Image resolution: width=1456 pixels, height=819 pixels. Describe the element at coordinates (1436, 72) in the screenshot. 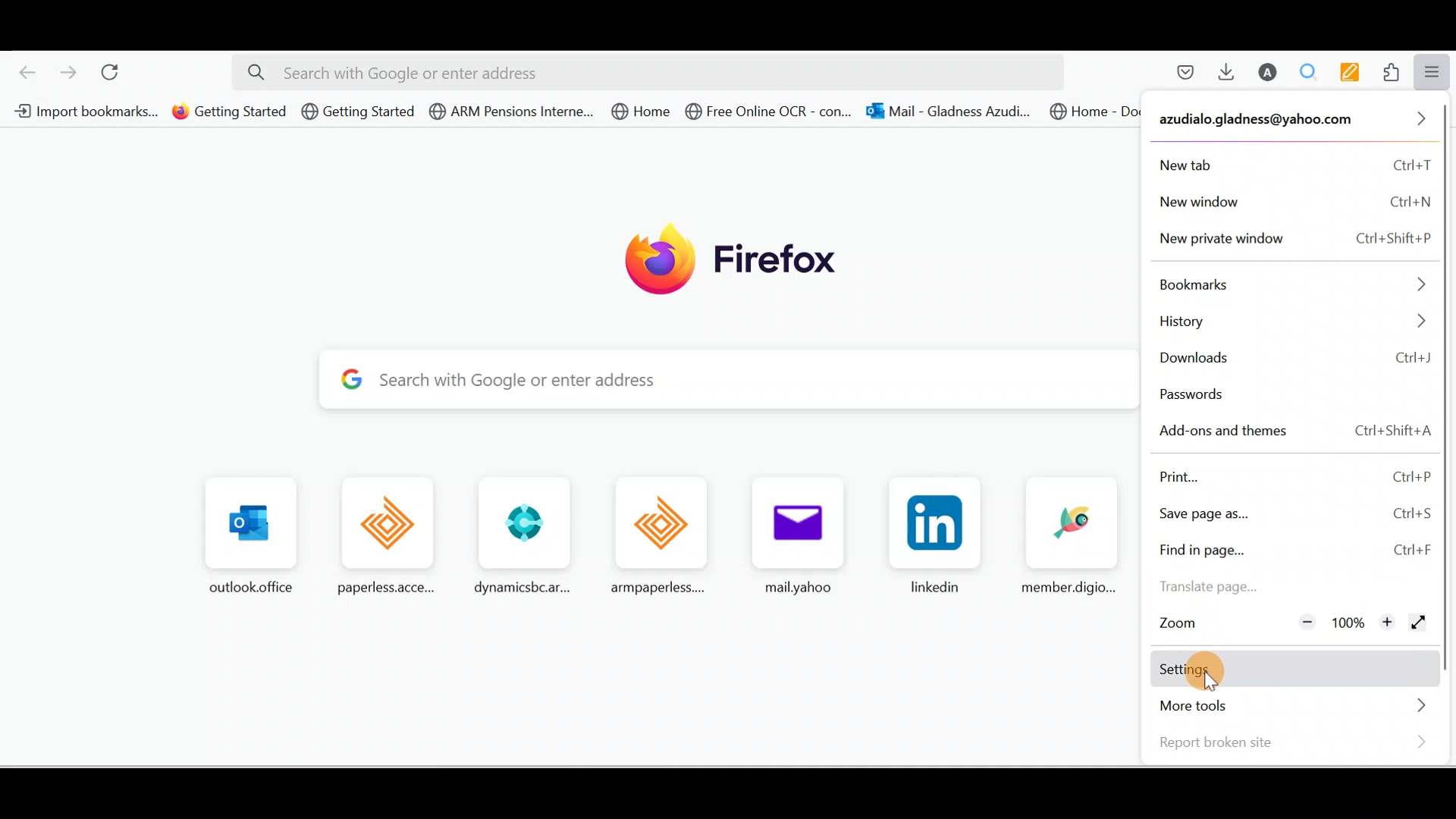

I see `Open application menu` at that location.